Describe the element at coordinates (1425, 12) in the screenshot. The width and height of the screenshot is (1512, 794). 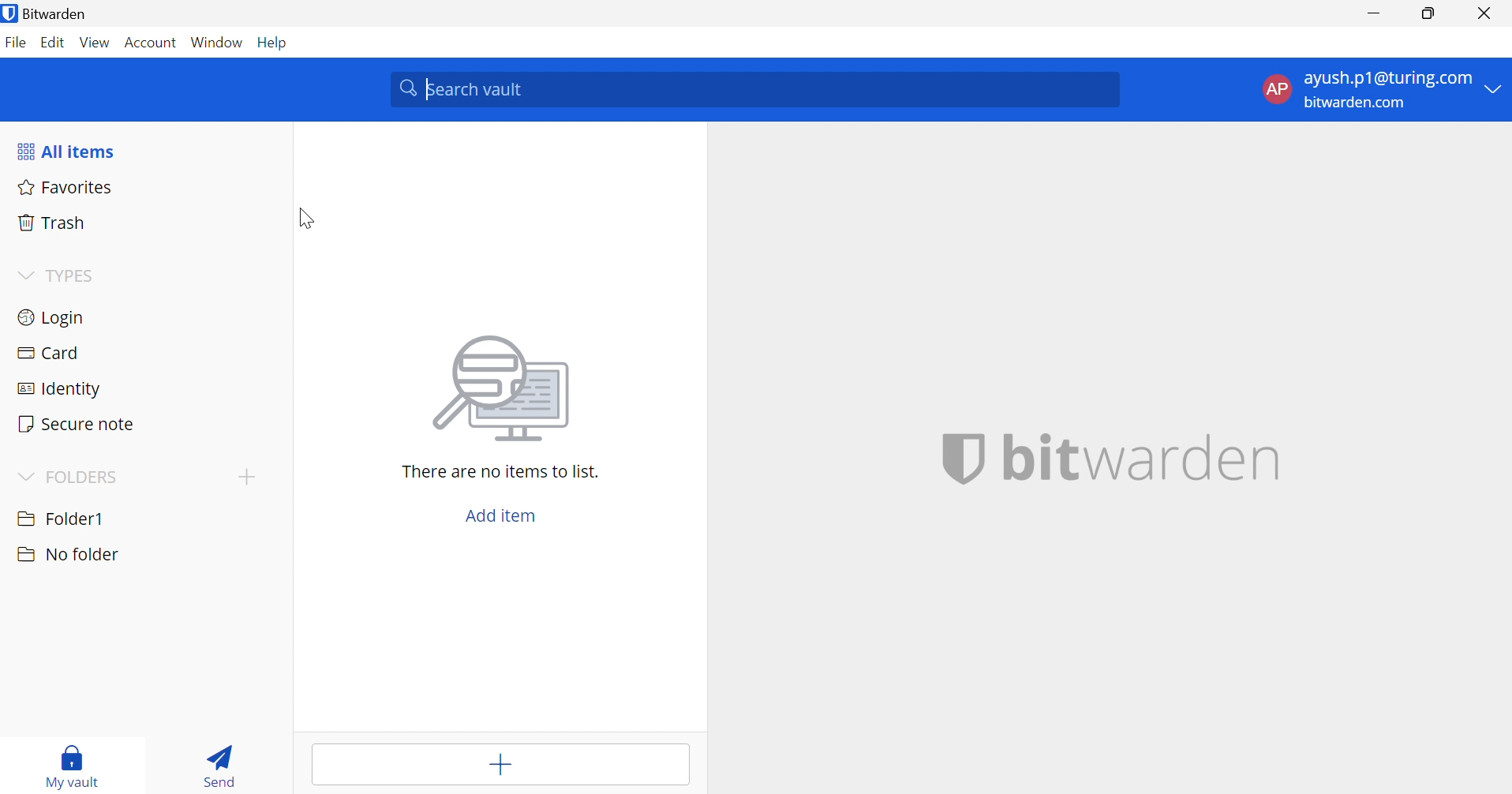
I see `Restore Down` at that location.